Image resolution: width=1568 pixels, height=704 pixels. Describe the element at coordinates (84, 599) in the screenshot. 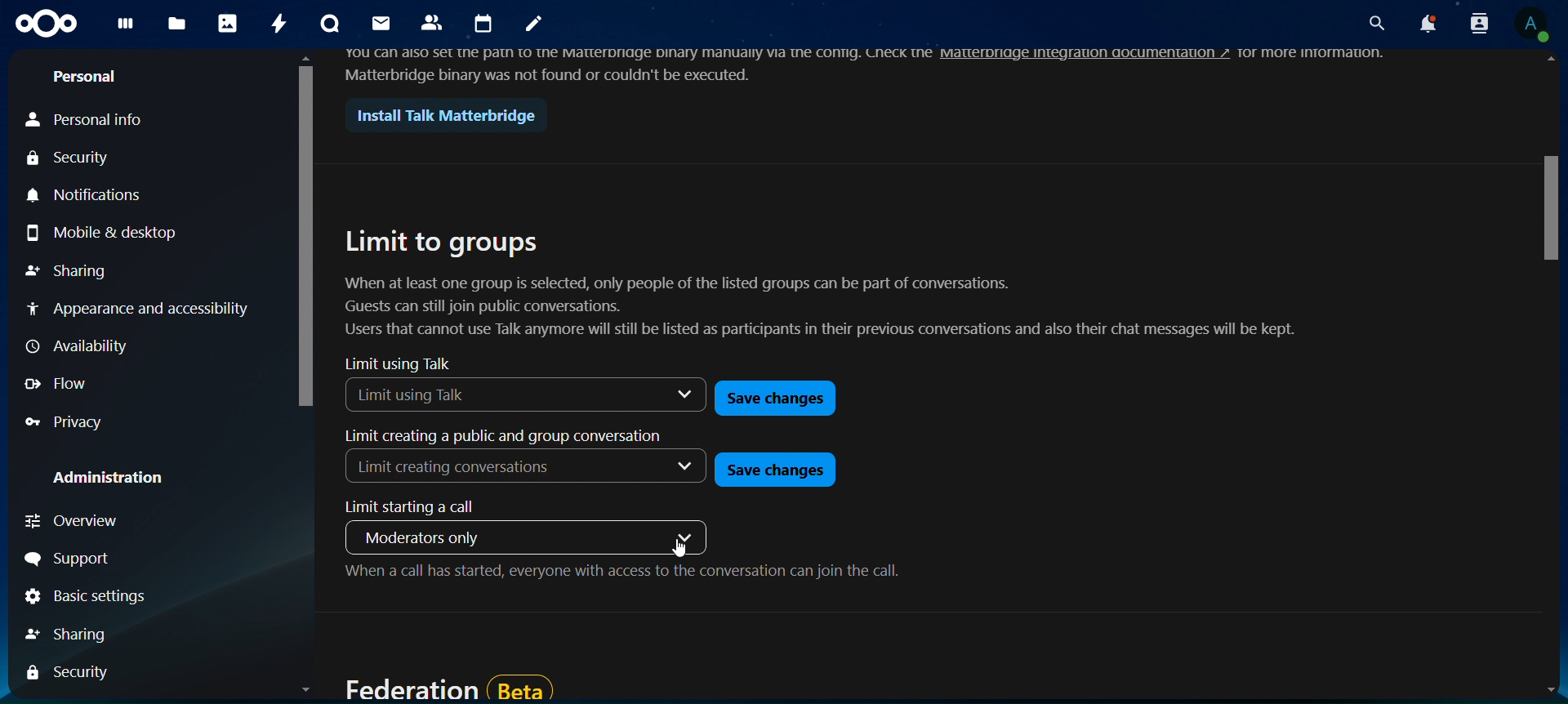

I see `basic settings` at that location.